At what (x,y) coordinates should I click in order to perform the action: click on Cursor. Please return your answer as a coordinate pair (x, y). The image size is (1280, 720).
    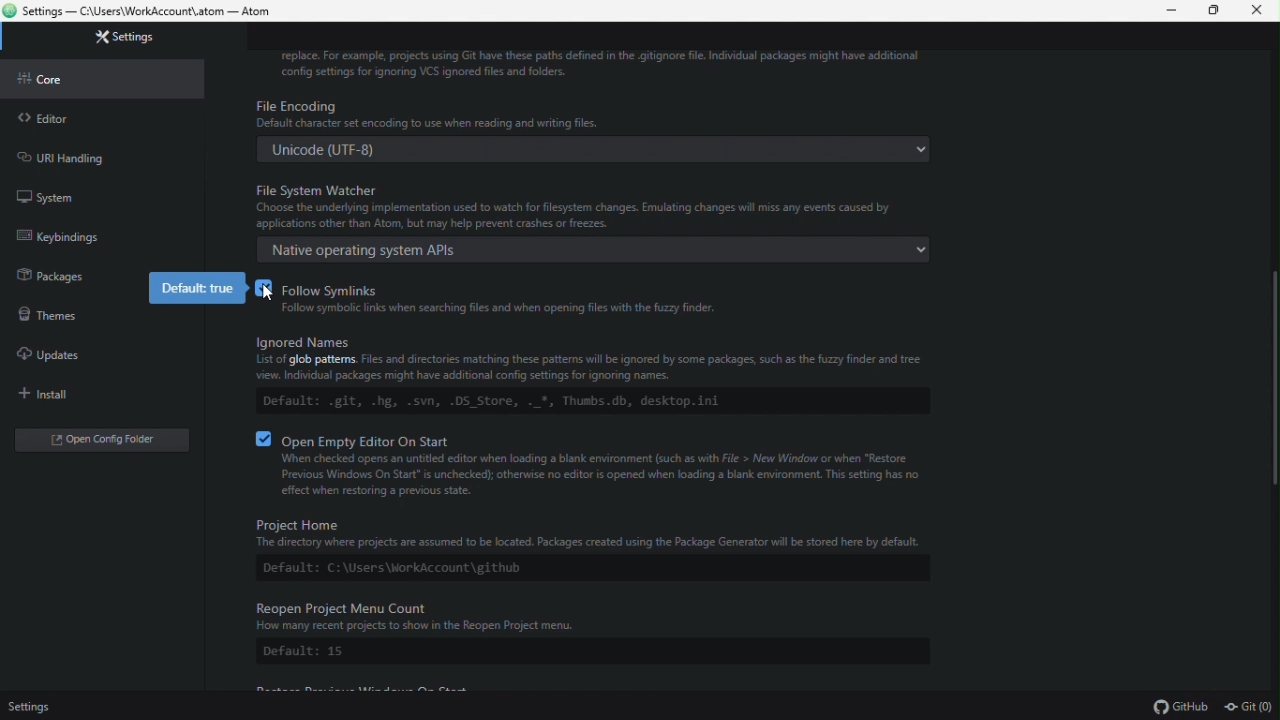
    Looking at the image, I should click on (272, 293).